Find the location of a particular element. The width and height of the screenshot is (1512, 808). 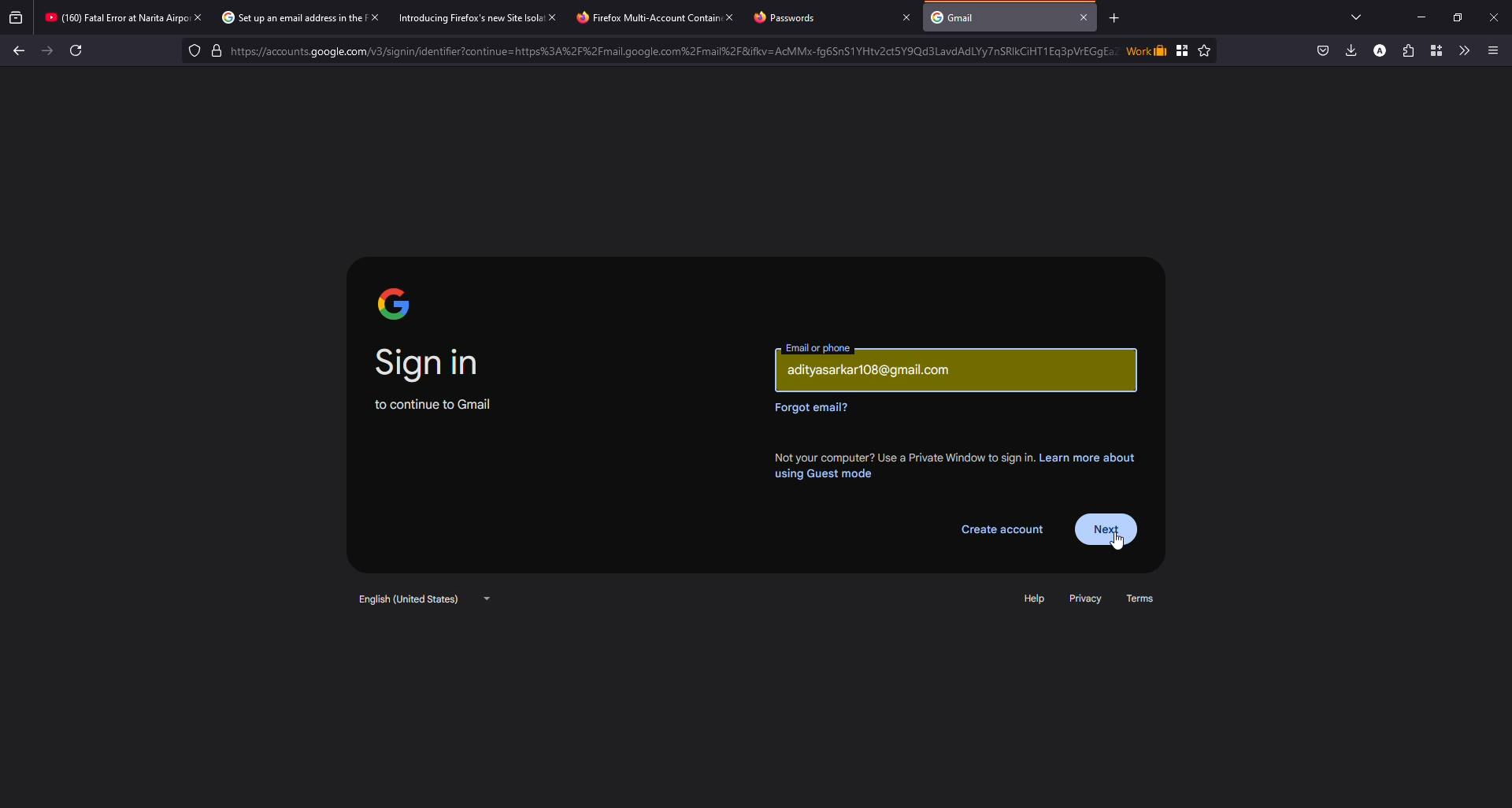

close is located at coordinates (1496, 16).